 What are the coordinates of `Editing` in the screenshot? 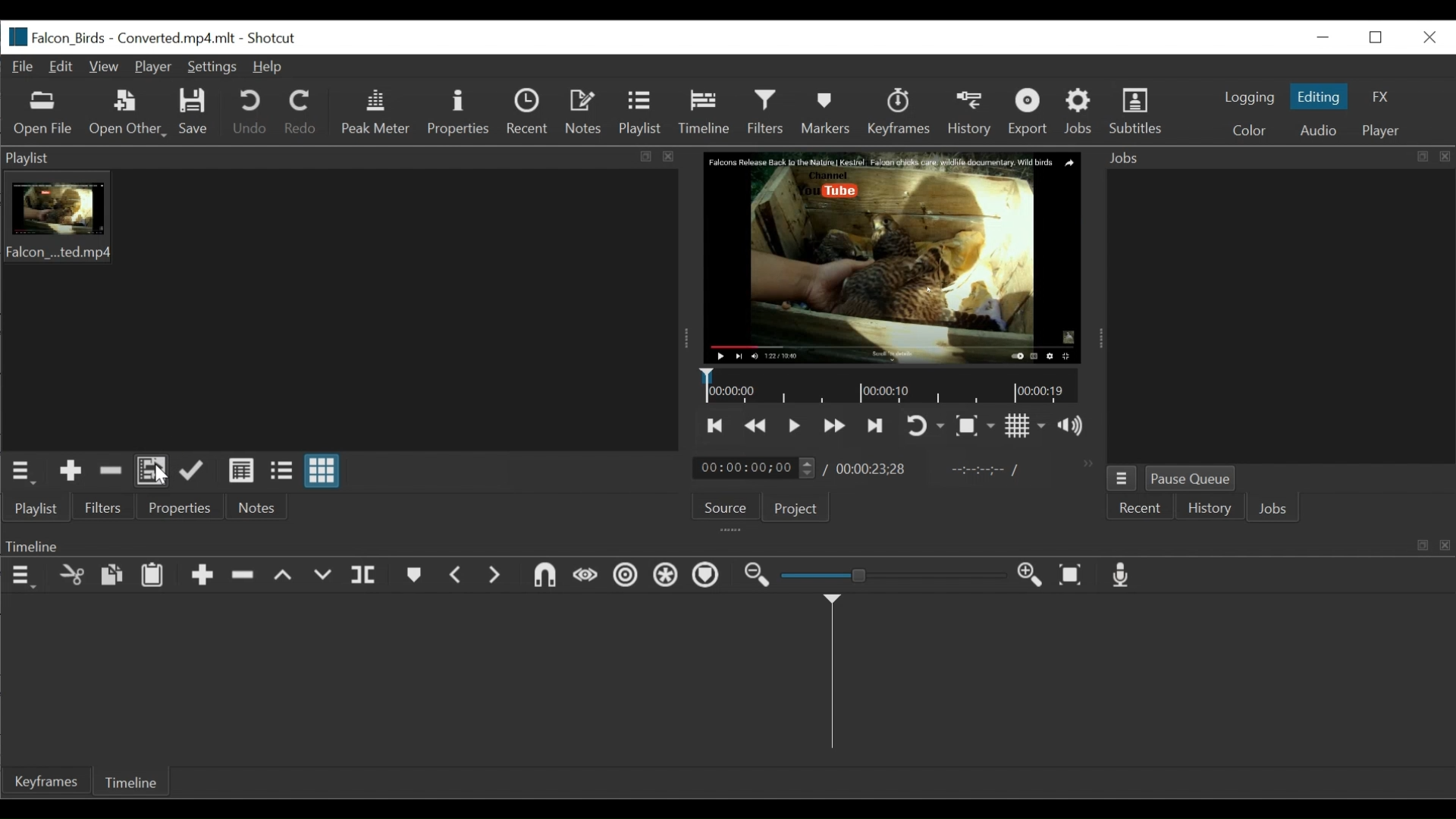 It's located at (1319, 96).